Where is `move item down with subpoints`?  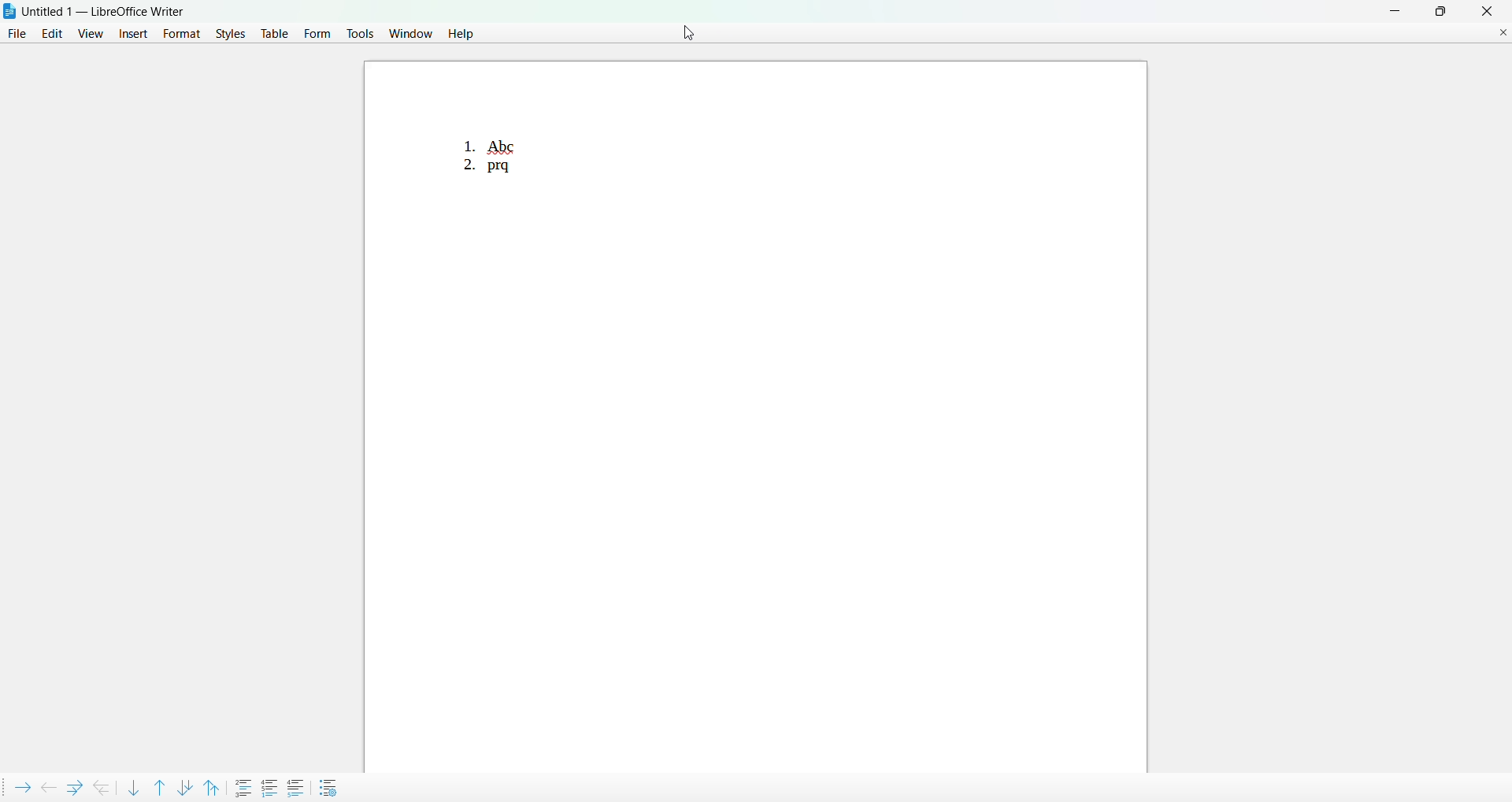 move item down with subpoints is located at coordinates (185, 785).